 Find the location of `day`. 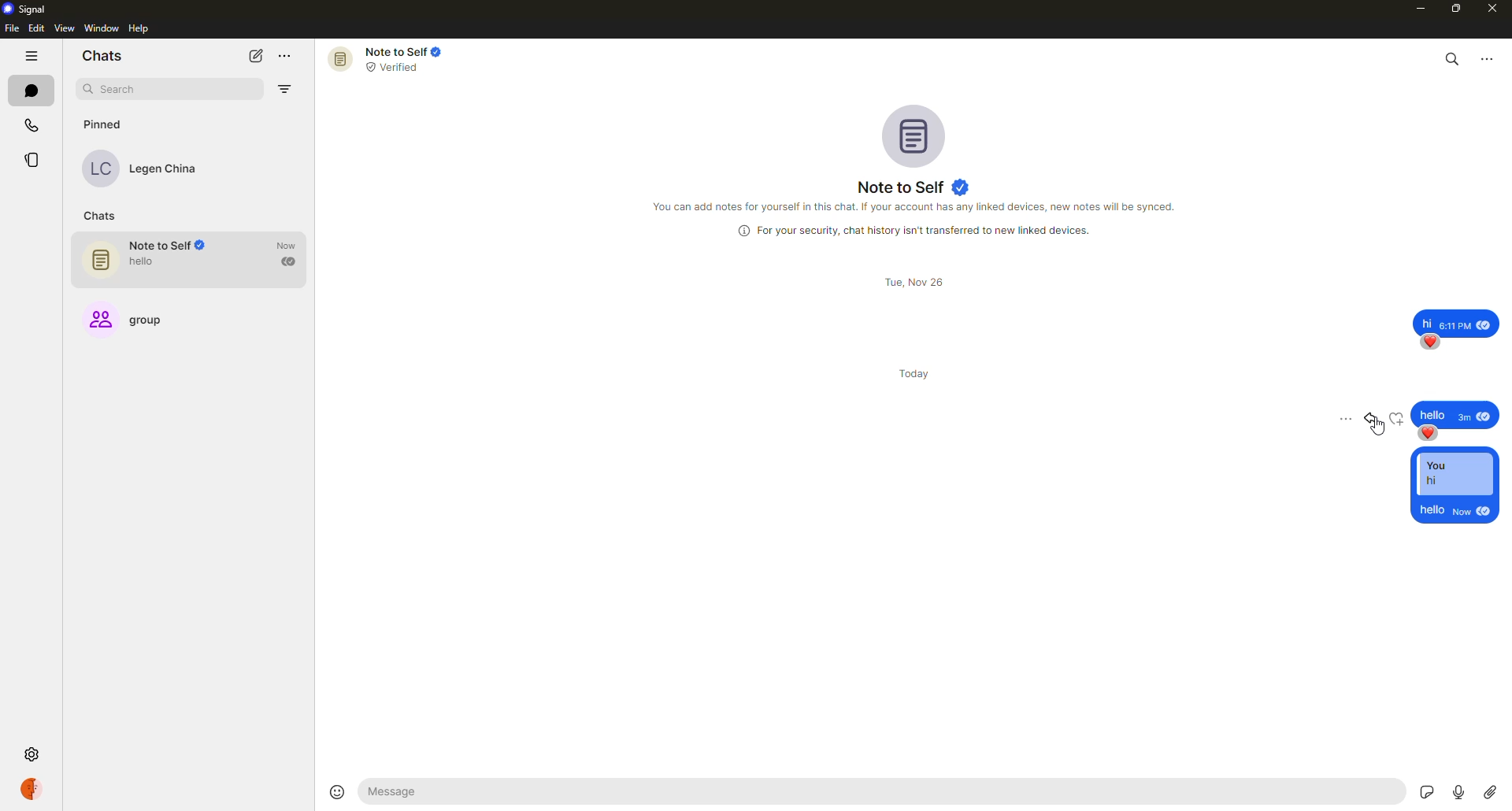

day is located at coordinates (920, 372).